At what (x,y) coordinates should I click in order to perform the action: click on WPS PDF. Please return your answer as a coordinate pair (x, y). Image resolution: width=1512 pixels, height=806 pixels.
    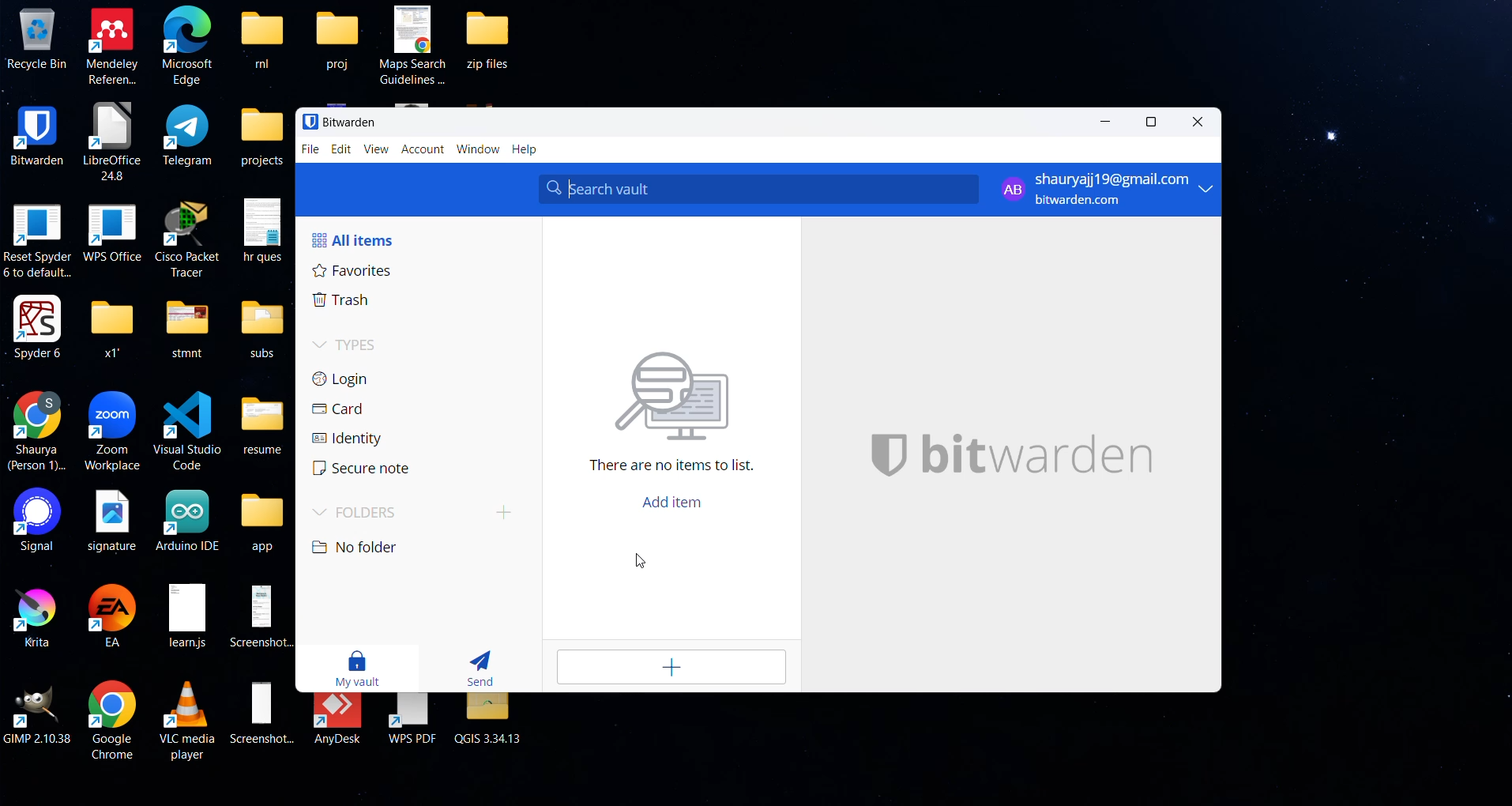
    Looking at the image, I should click on (412, 720).